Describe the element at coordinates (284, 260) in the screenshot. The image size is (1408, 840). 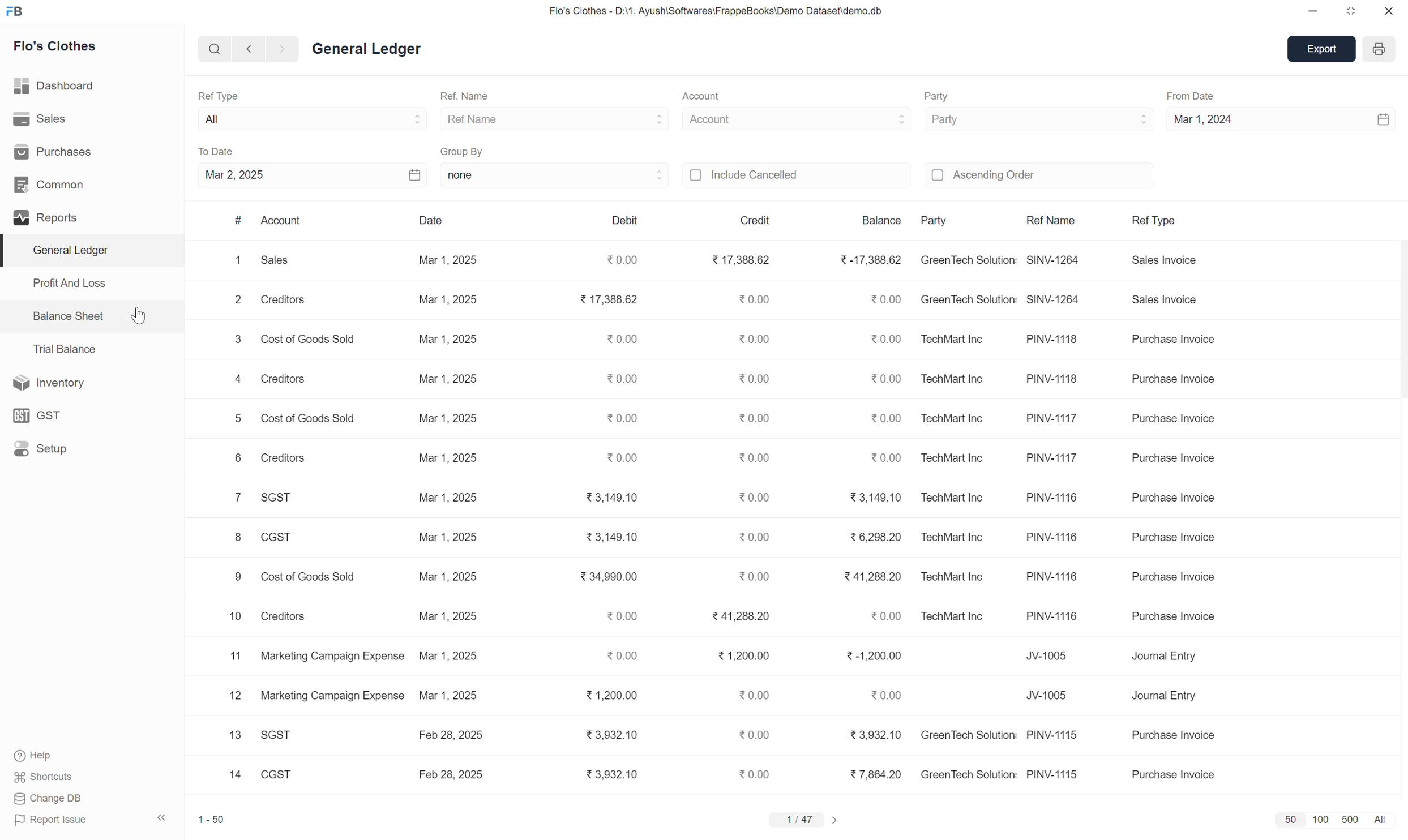
I see `Sales` at that location.